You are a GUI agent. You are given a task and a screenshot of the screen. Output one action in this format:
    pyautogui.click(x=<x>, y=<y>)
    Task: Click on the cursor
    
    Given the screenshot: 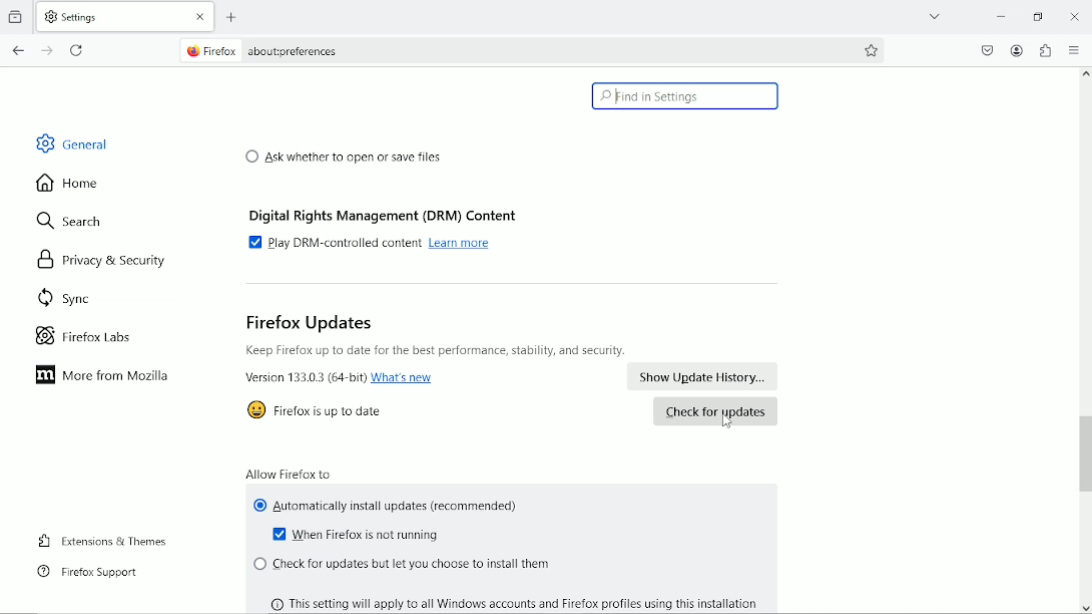 What is the action you would take?
    pyautogui.click(x=728, y=425)
    